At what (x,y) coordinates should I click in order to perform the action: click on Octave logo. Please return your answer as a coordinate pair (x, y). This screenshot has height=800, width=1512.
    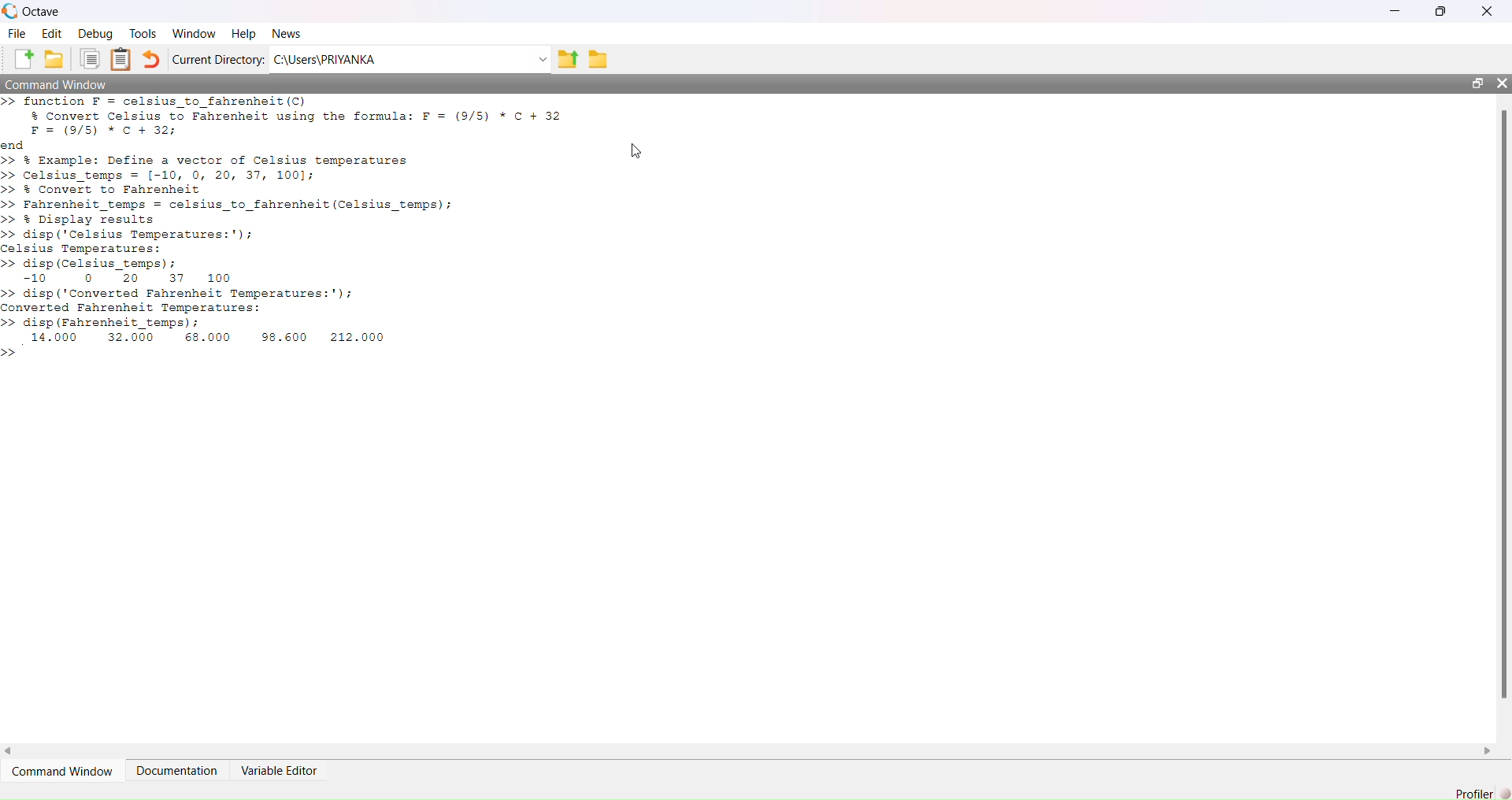
    Looking at the image, I should click on (10, 10).